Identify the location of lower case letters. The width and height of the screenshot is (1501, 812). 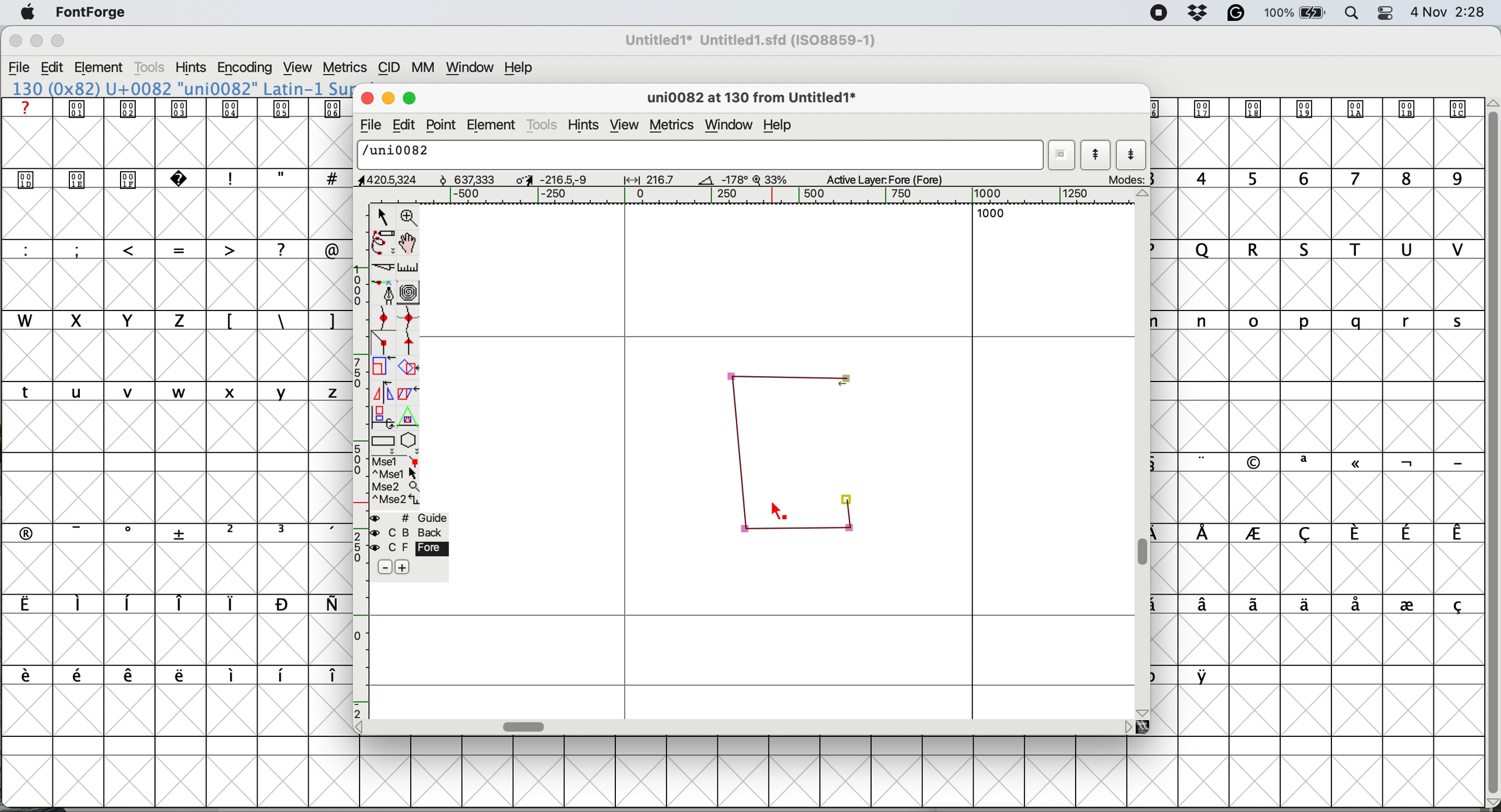
(177, 391).